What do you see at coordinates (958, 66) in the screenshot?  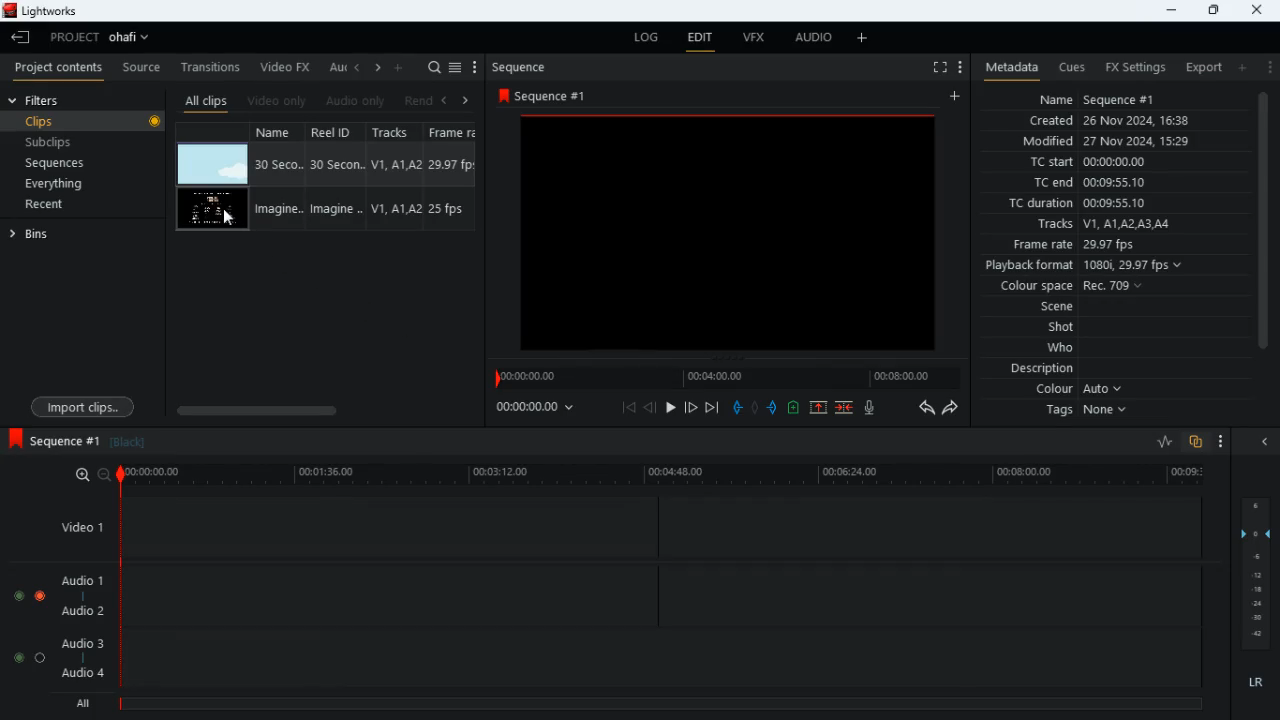 I see `more` at bounding box center [958, 66].